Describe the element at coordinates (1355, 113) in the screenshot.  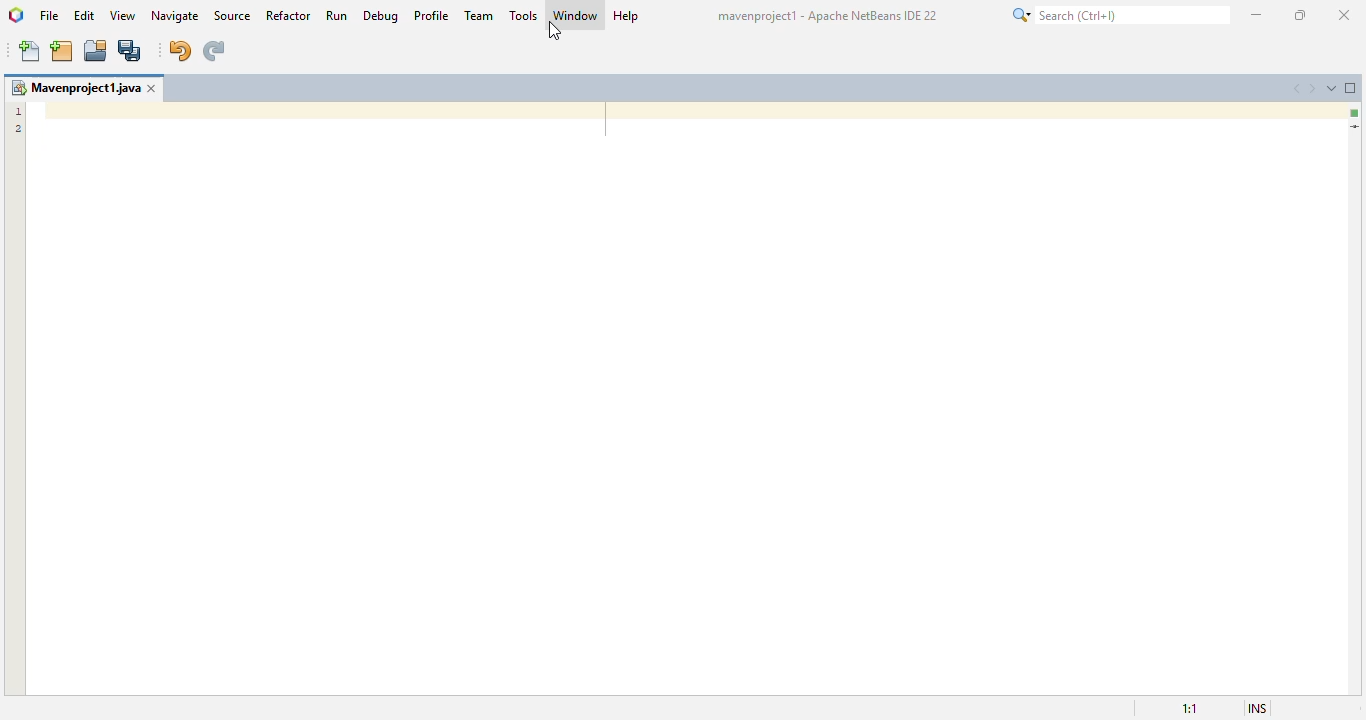
I see `no errors` at that location.